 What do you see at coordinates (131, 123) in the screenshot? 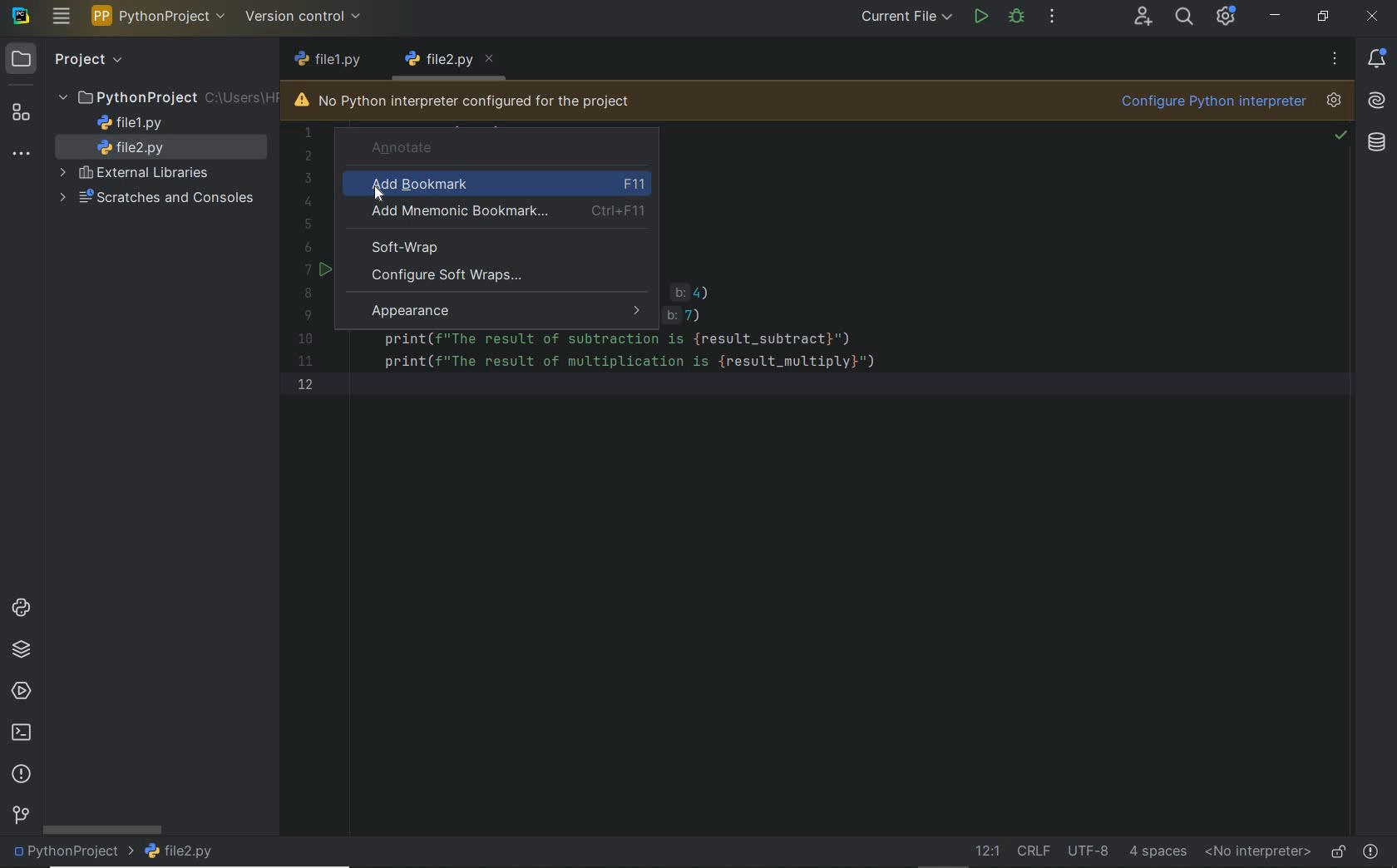
I see `file name 1` at bounding box center [131, 123].